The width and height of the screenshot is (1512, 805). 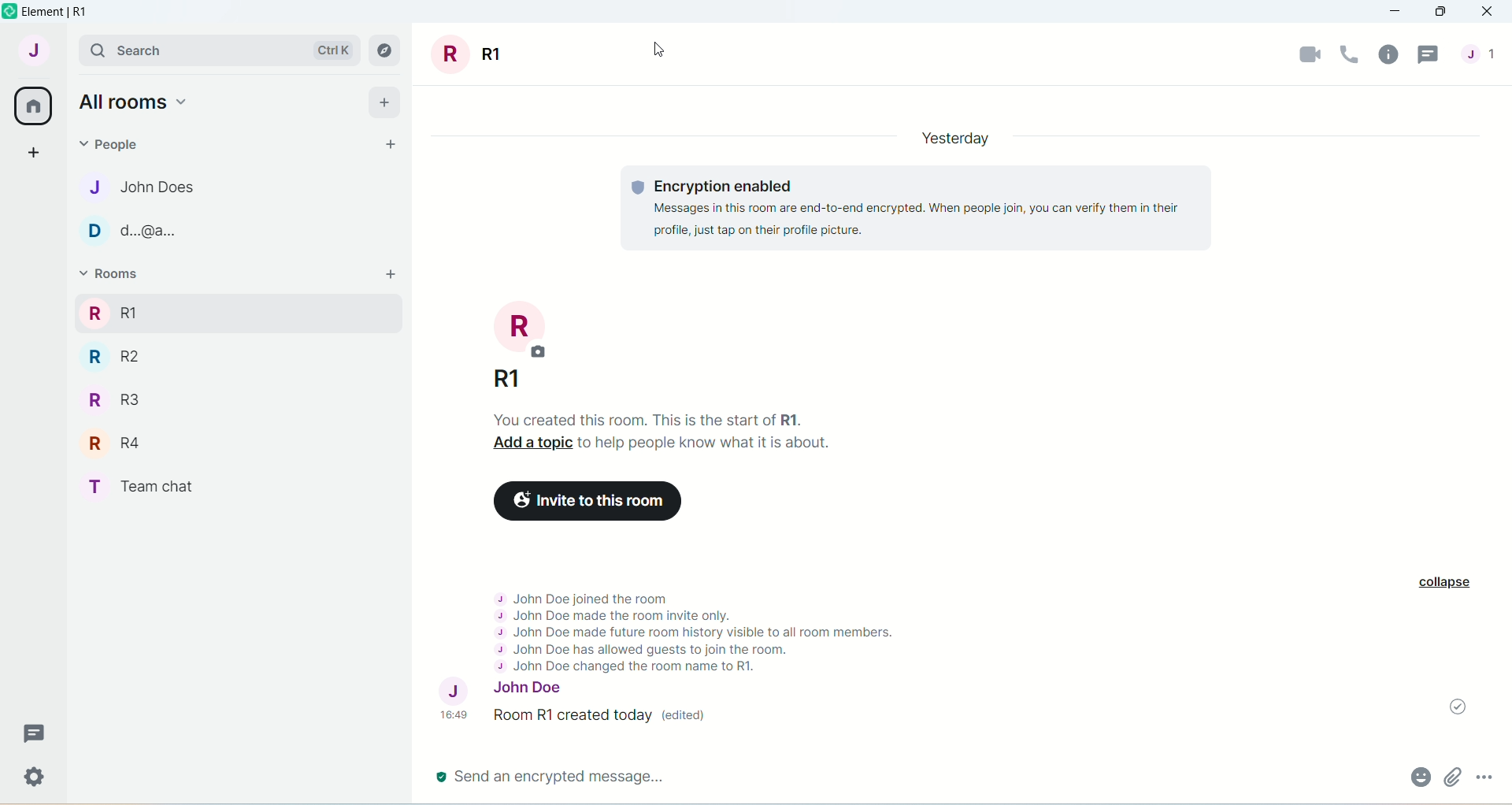 I want to click on threads, so click(x=39, y=730).